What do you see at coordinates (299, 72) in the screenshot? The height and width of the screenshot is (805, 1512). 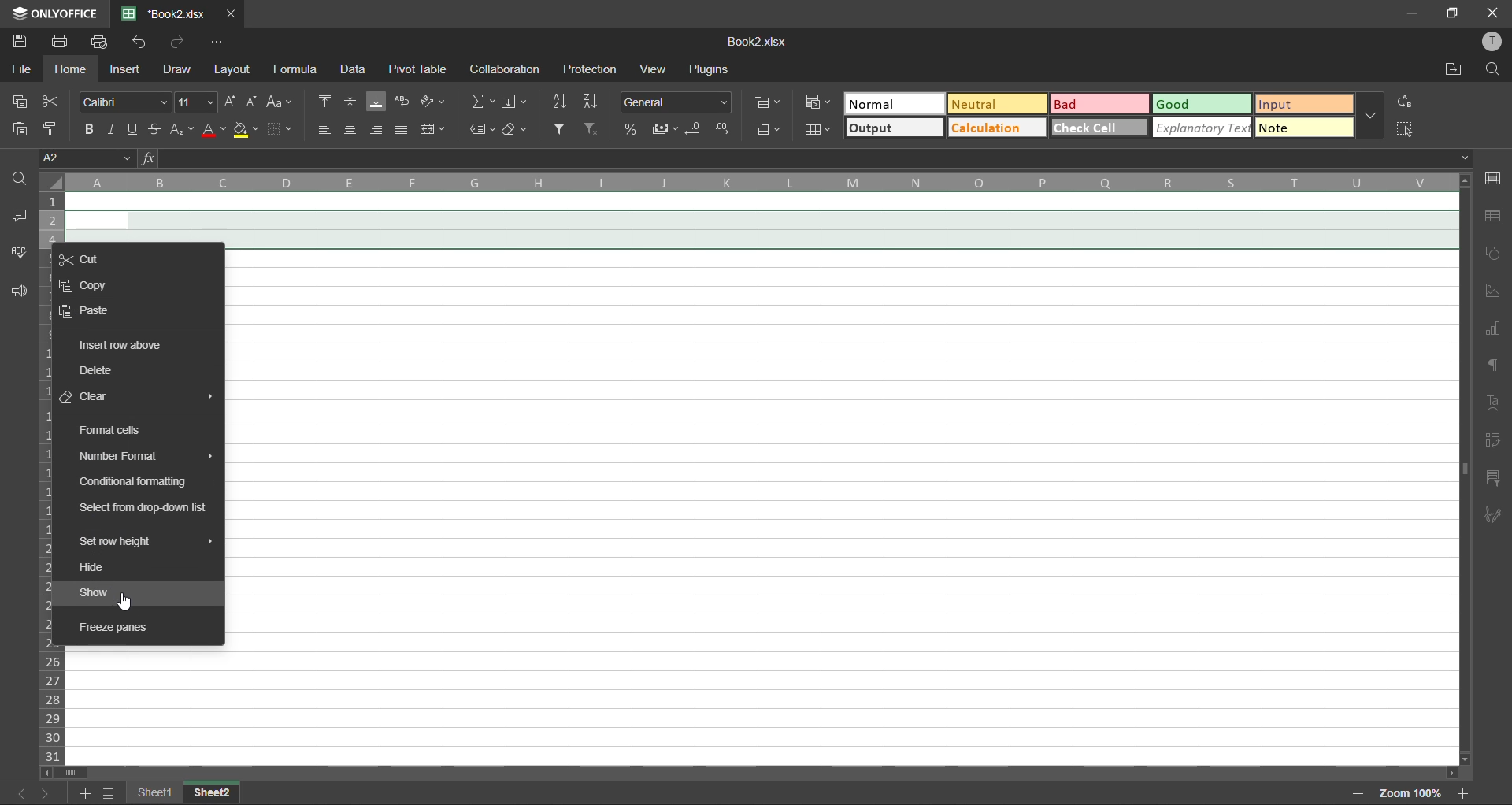 I see `formula` at bounding box center [299, 72].